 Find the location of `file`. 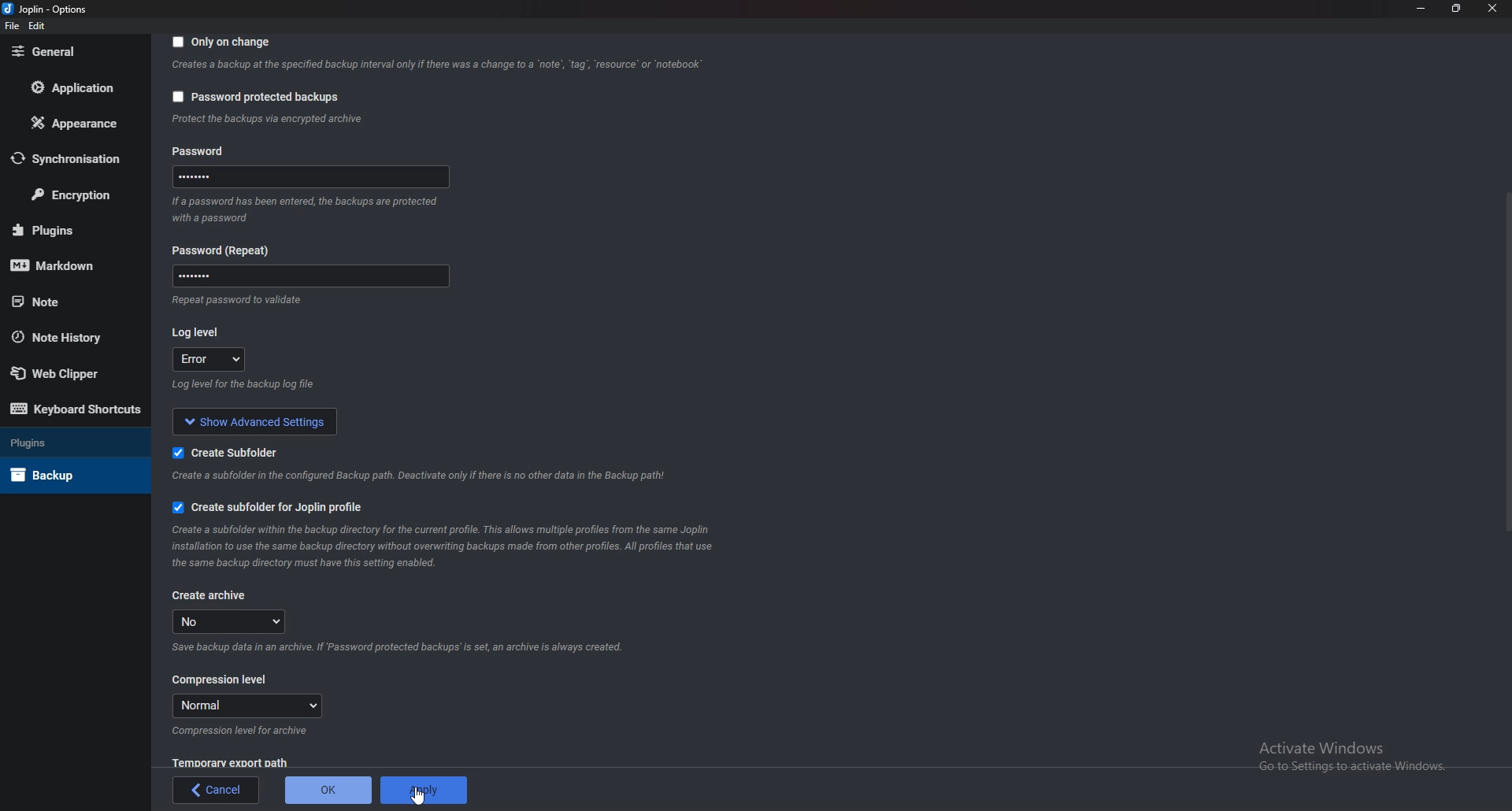

file is located at coordinates (11, 27).